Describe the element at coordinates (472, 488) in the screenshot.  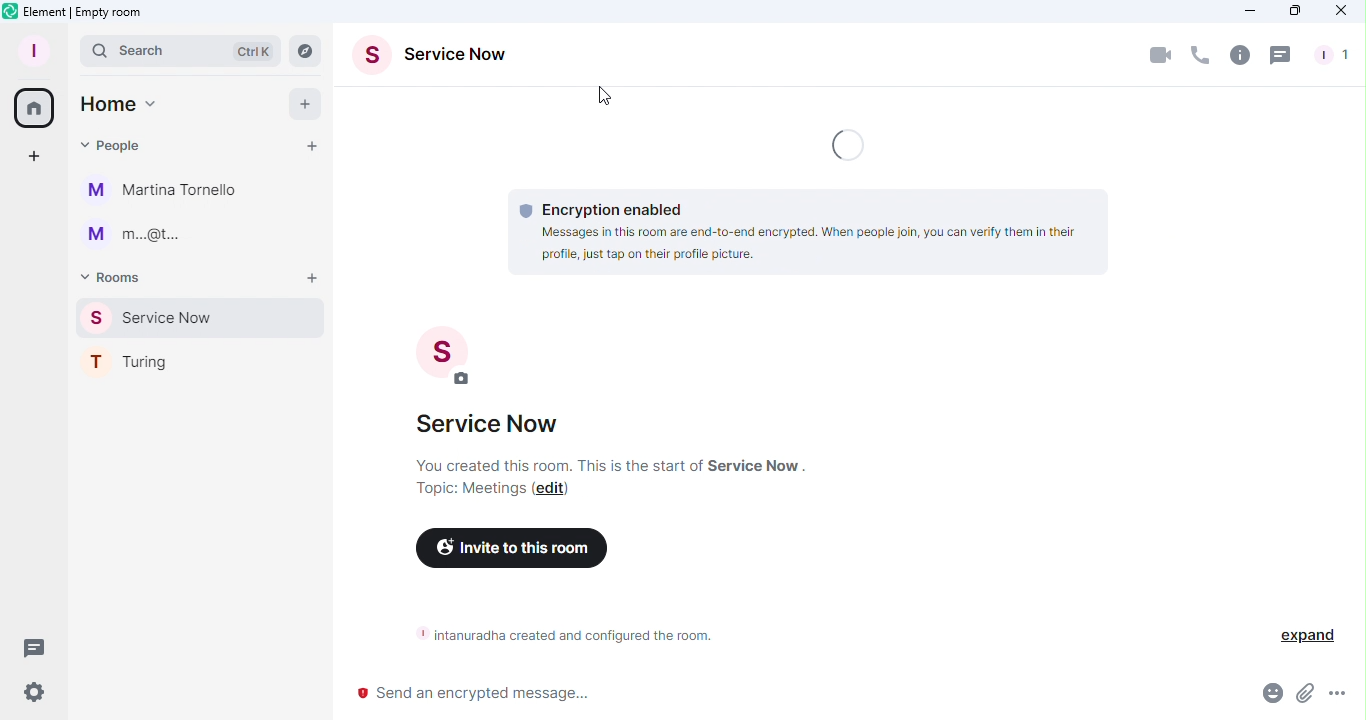
I see `Topic` at that location.